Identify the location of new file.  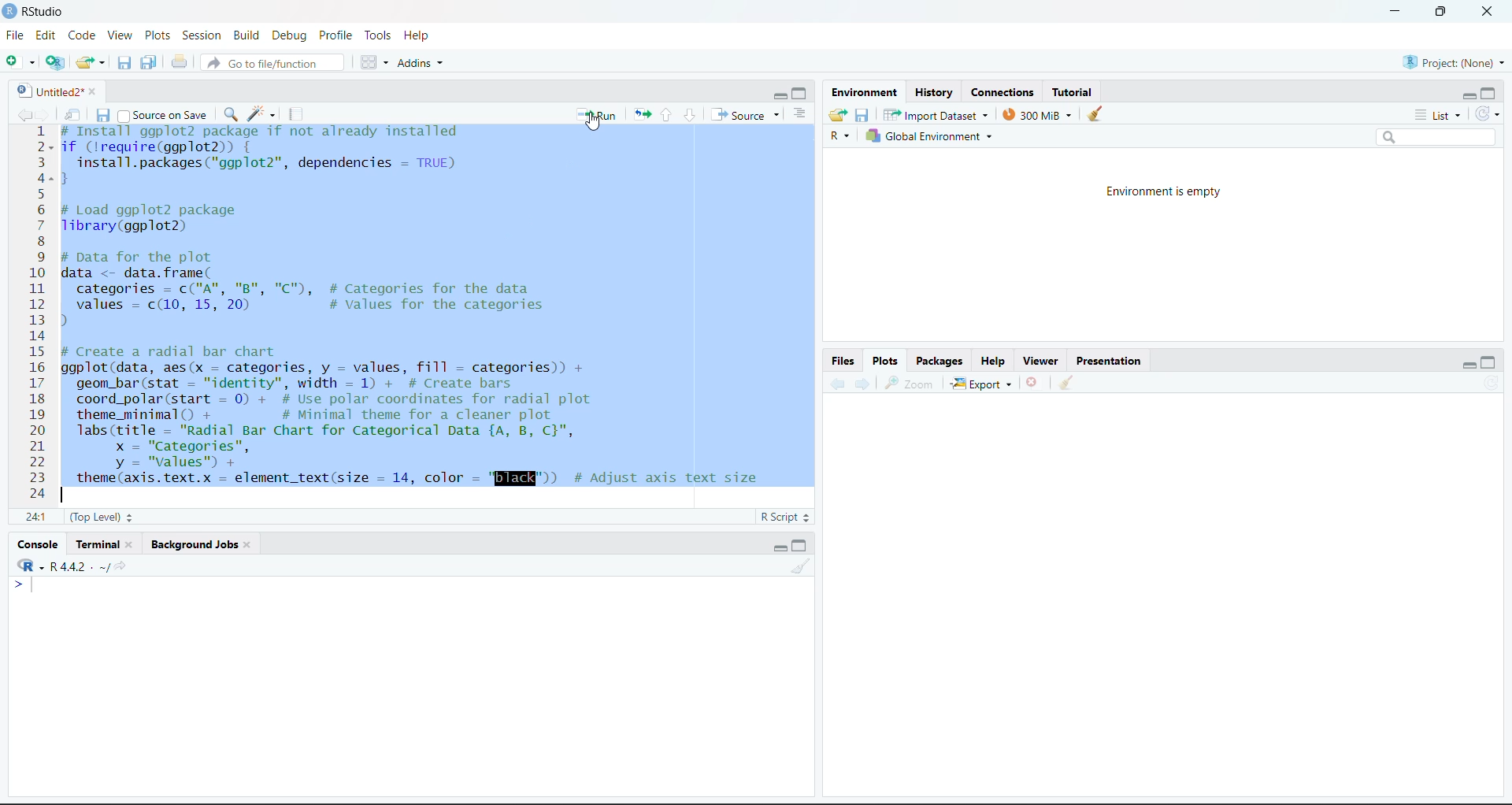
(20, 63).